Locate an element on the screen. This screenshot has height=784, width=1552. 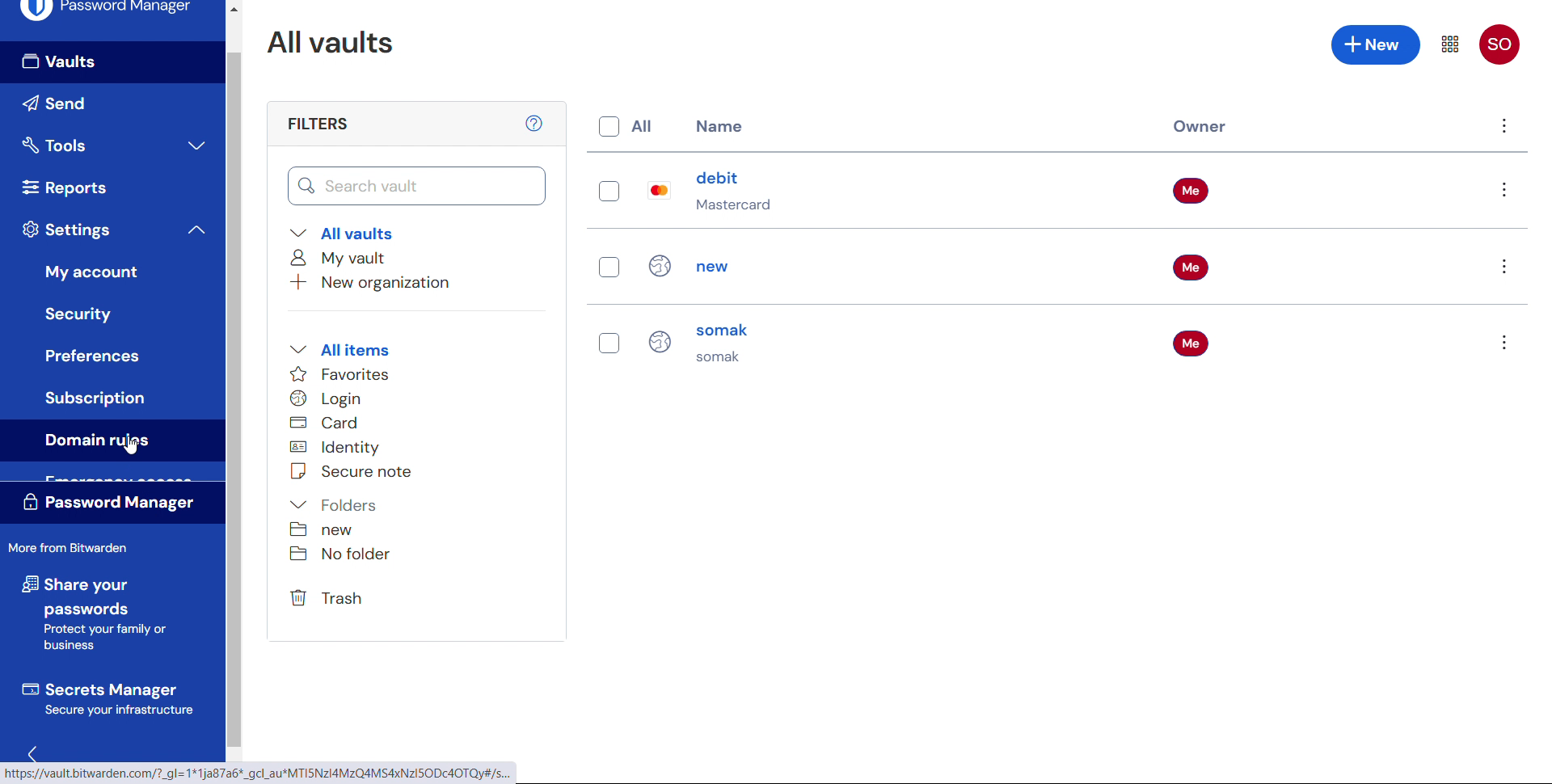
Password manager  is located at coordinates (105, 12).